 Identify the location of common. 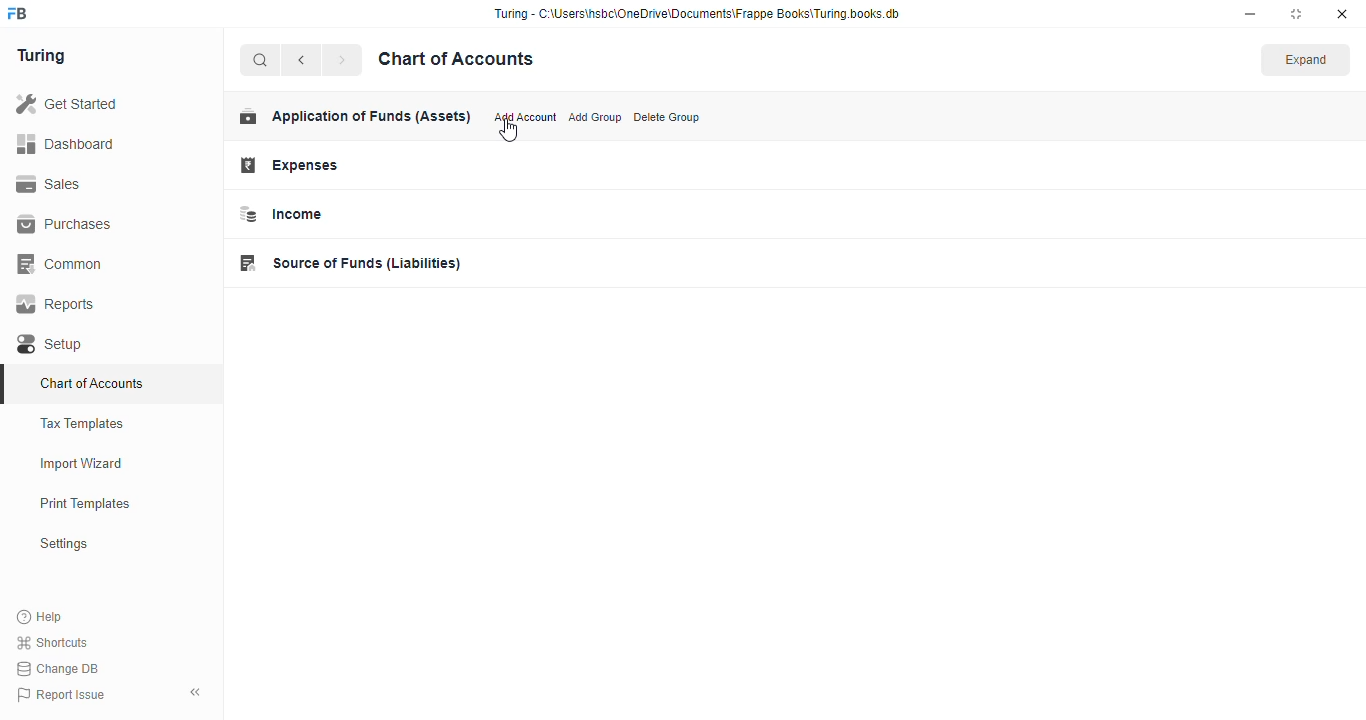
(61, 264).